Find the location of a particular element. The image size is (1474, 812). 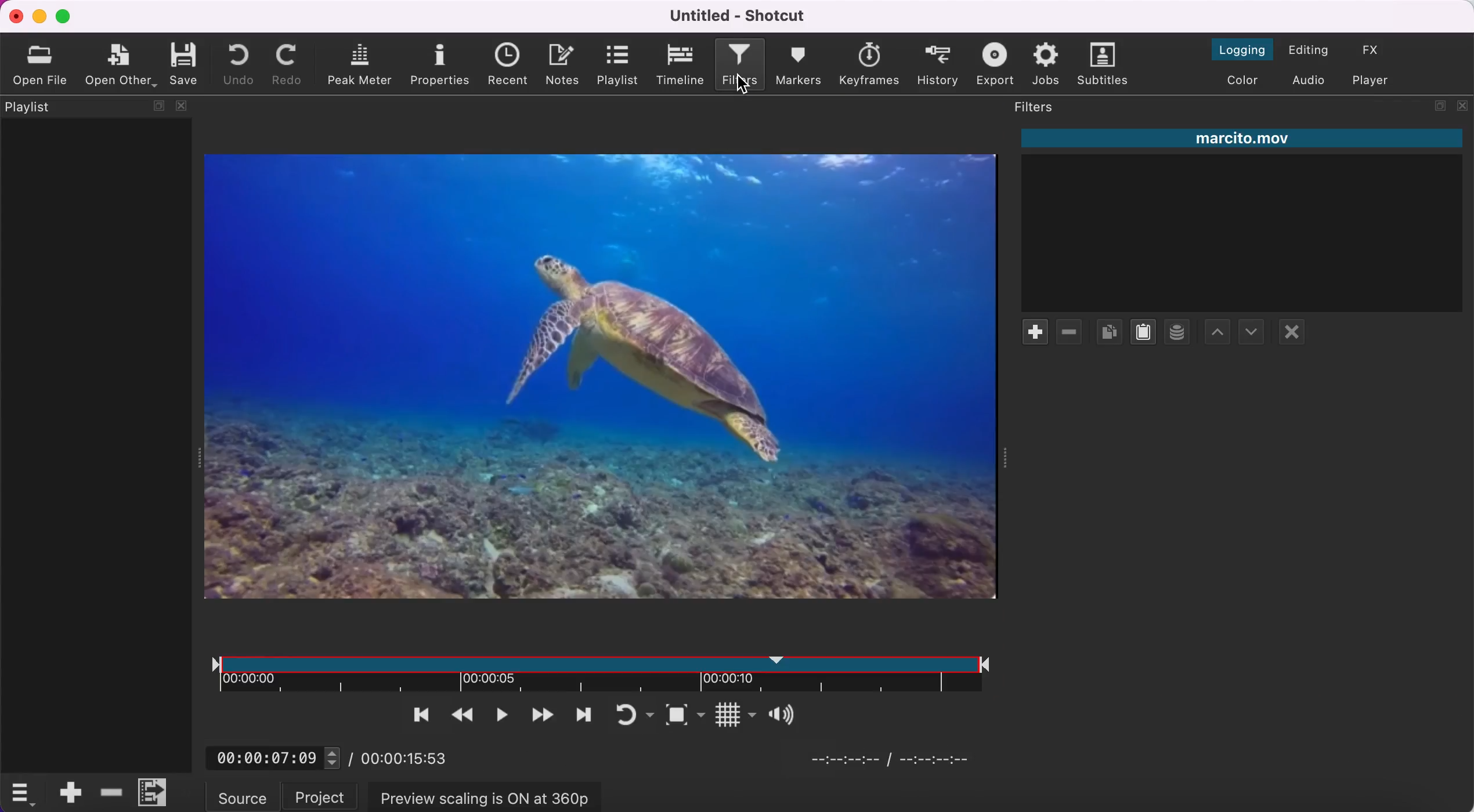

Untitled - Shotcut is located at coordinates (739, 16).